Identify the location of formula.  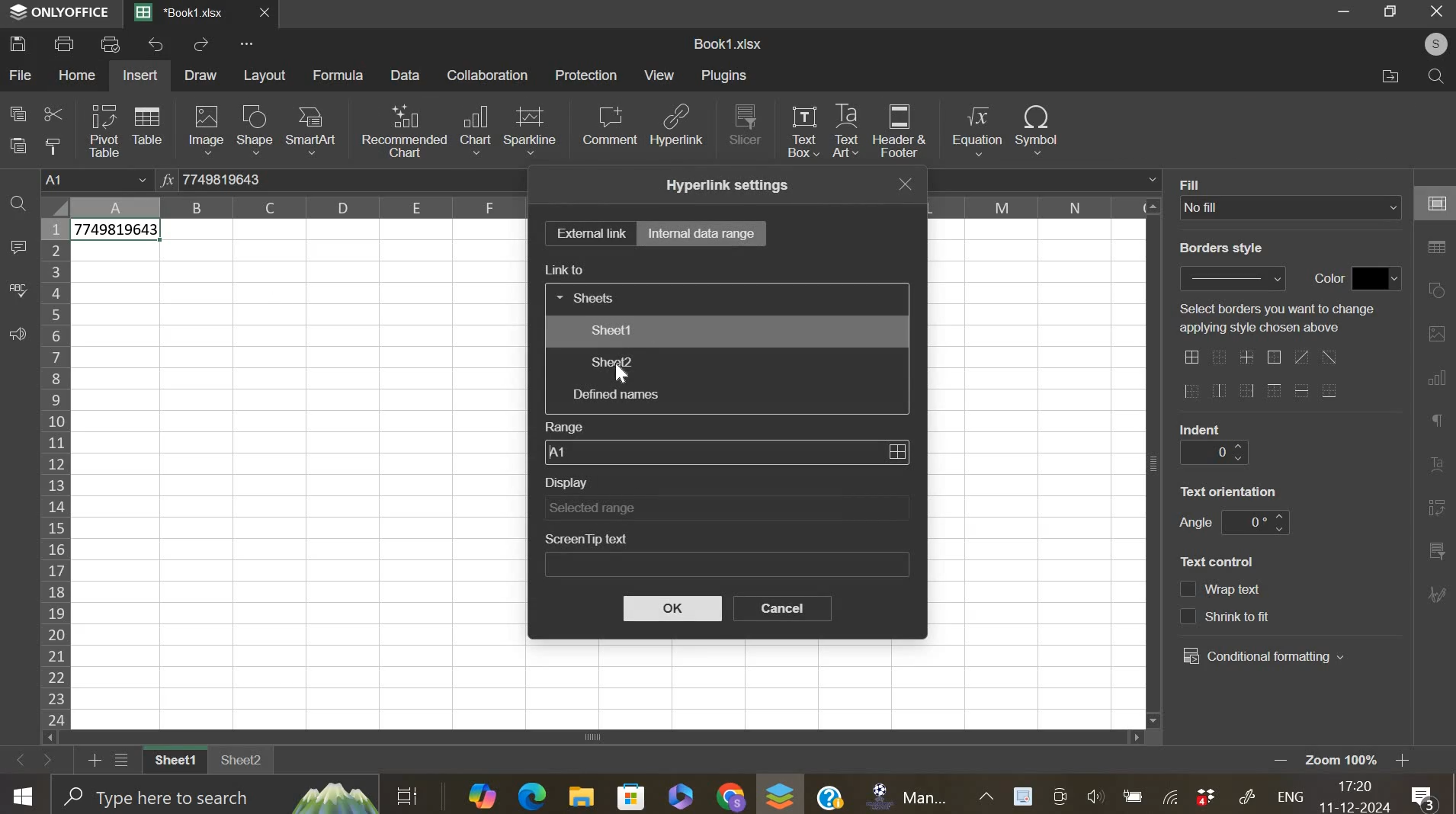
(339, 75).